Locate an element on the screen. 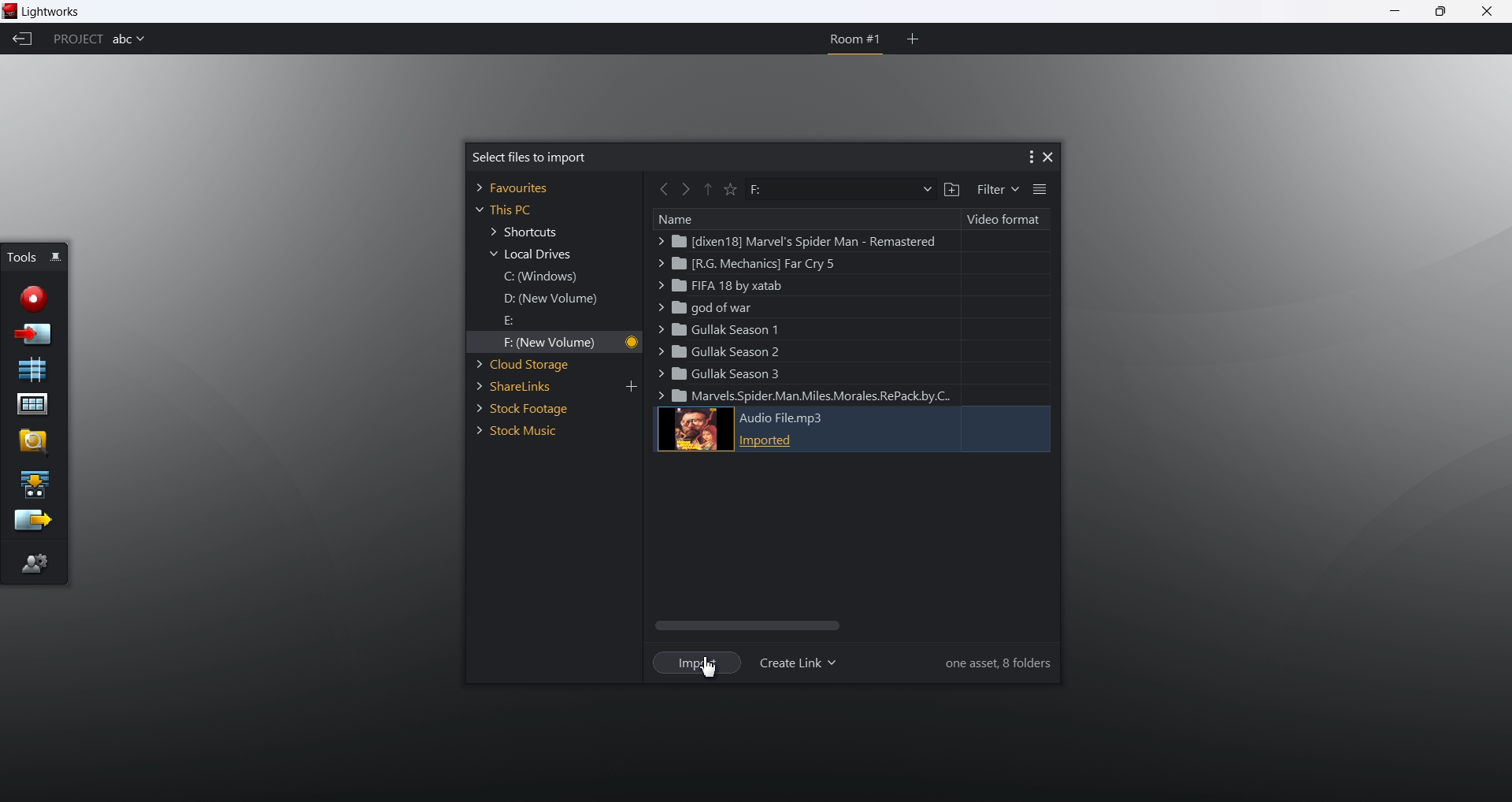 The image size is (1512, 802). project is located at coordinates (76, 39).